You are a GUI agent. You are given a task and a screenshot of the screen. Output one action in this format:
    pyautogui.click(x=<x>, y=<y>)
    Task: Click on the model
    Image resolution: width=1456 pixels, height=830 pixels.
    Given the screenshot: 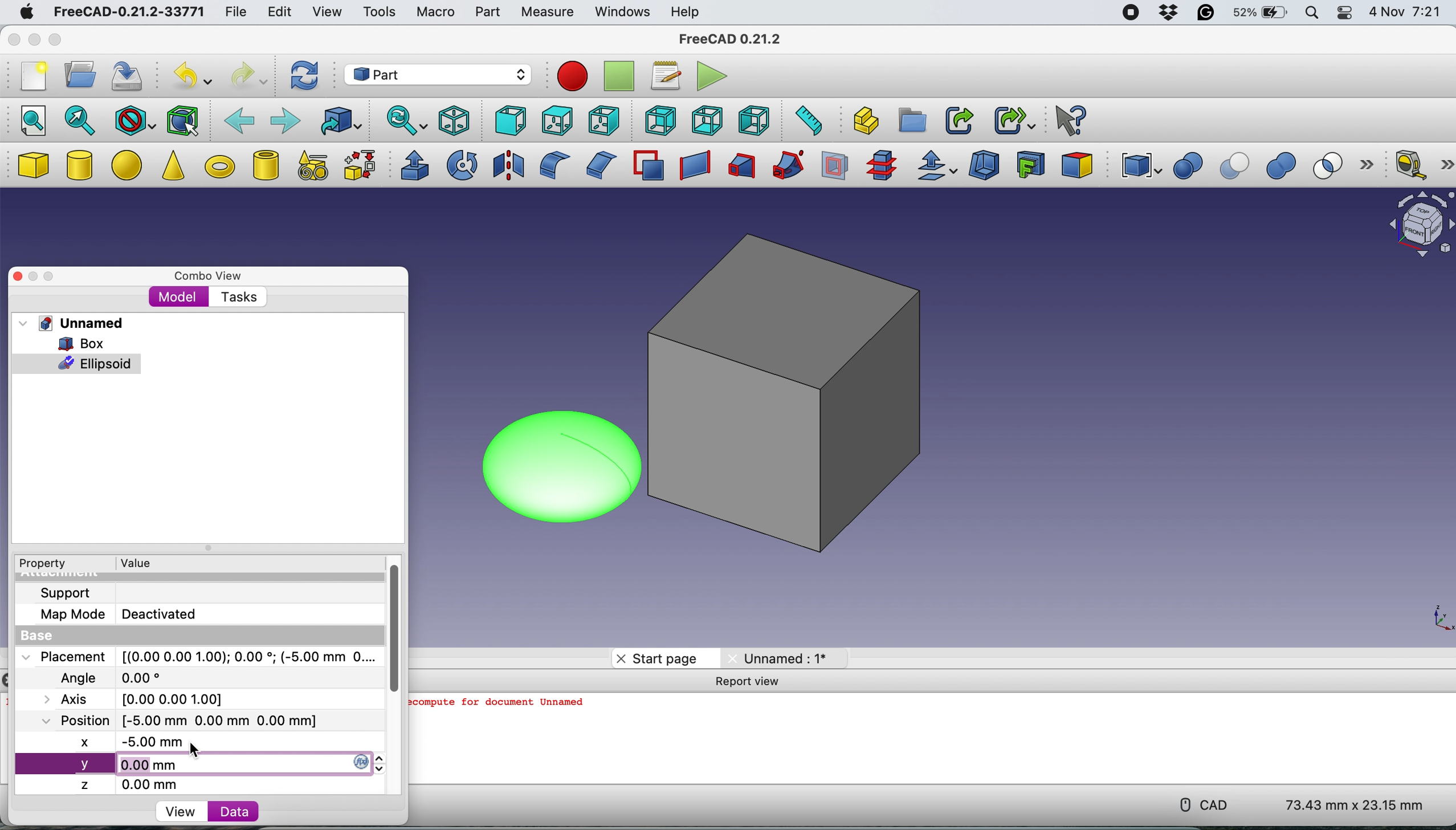 What is the action you would take?
    pyautogui.click(x=178, y=296)
    